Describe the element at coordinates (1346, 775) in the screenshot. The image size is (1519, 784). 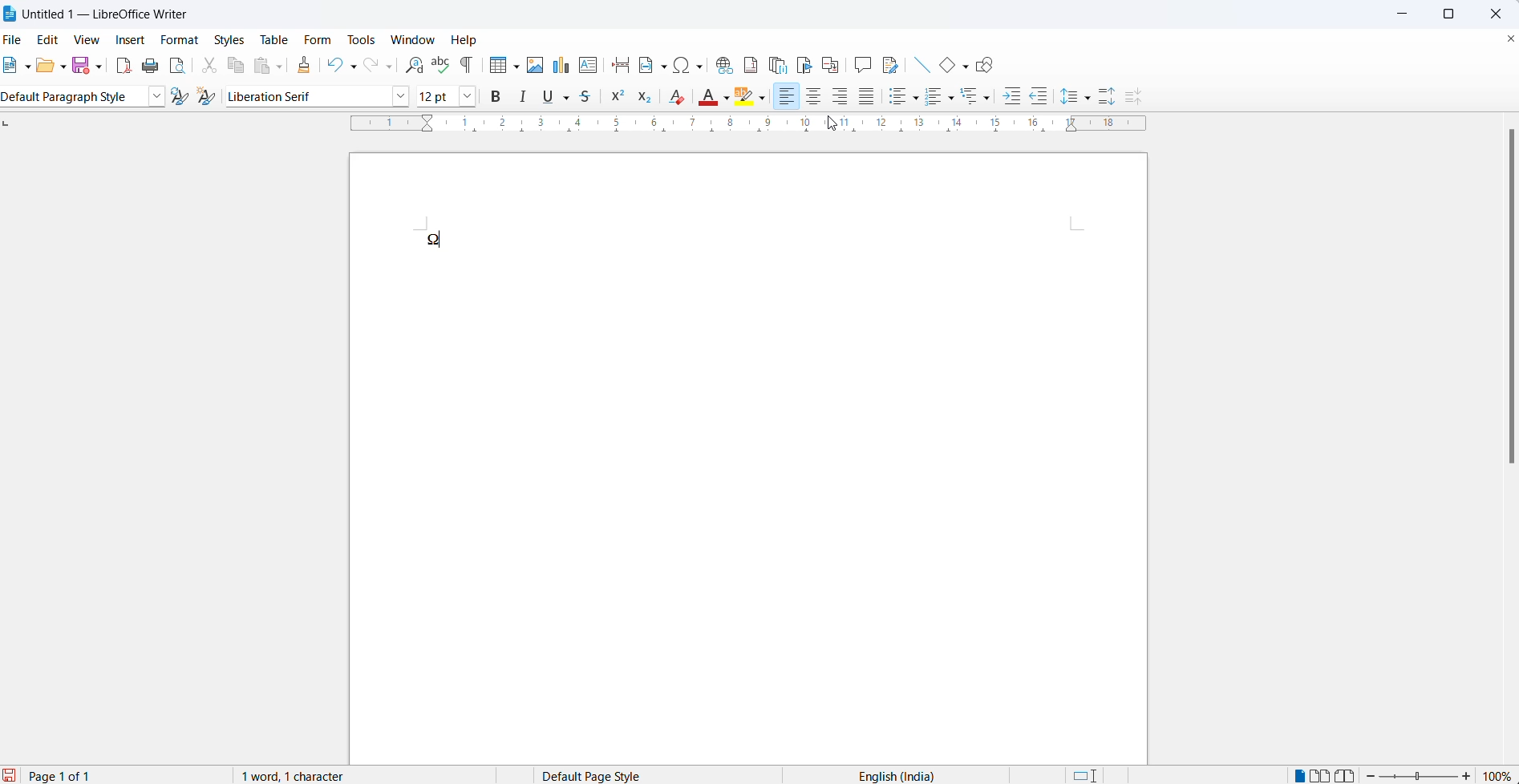
I see `book view` at that location.